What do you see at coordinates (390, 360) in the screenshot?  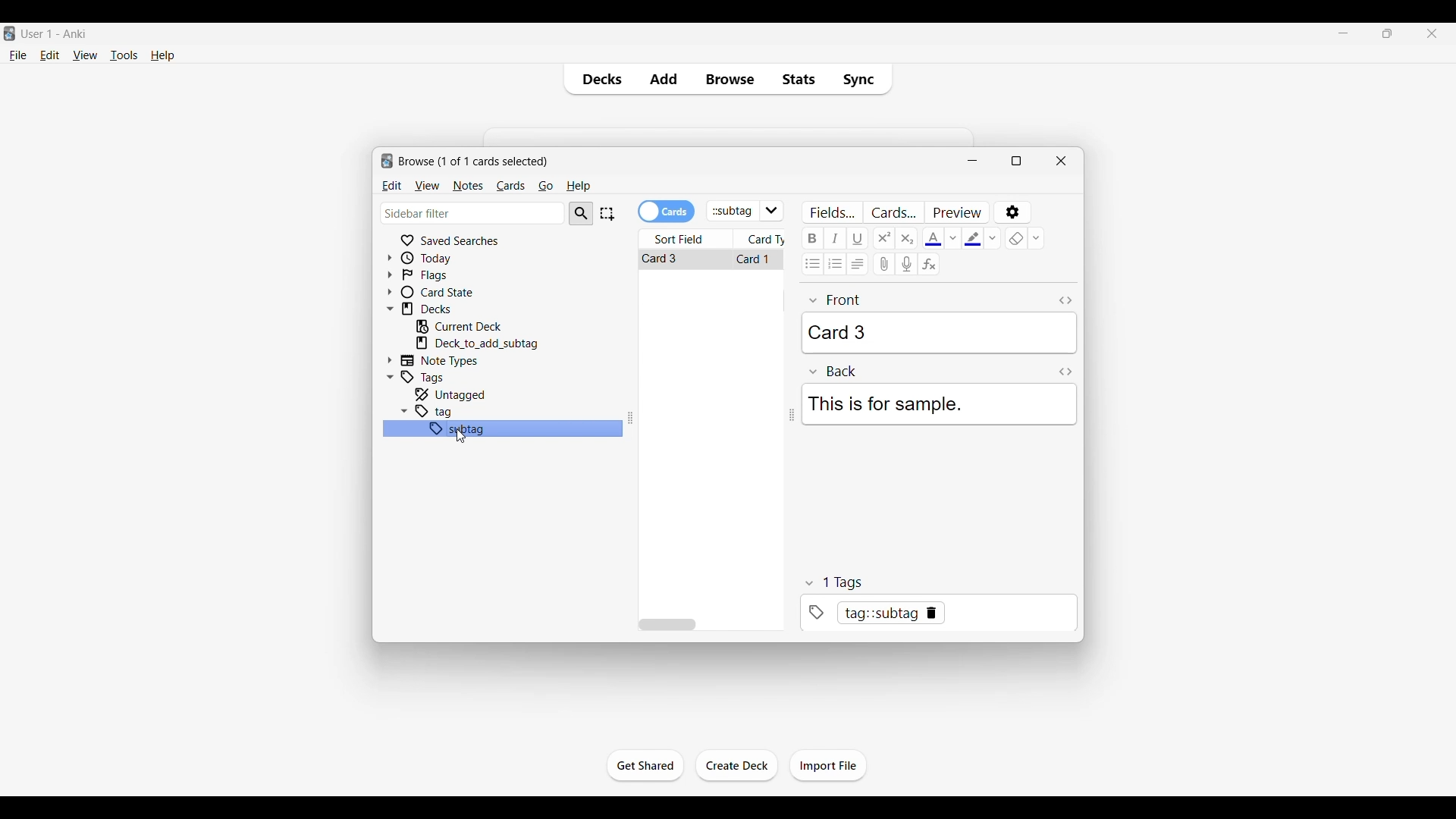 I see `Click to expand Note Types` at bounding box center [390, 360].